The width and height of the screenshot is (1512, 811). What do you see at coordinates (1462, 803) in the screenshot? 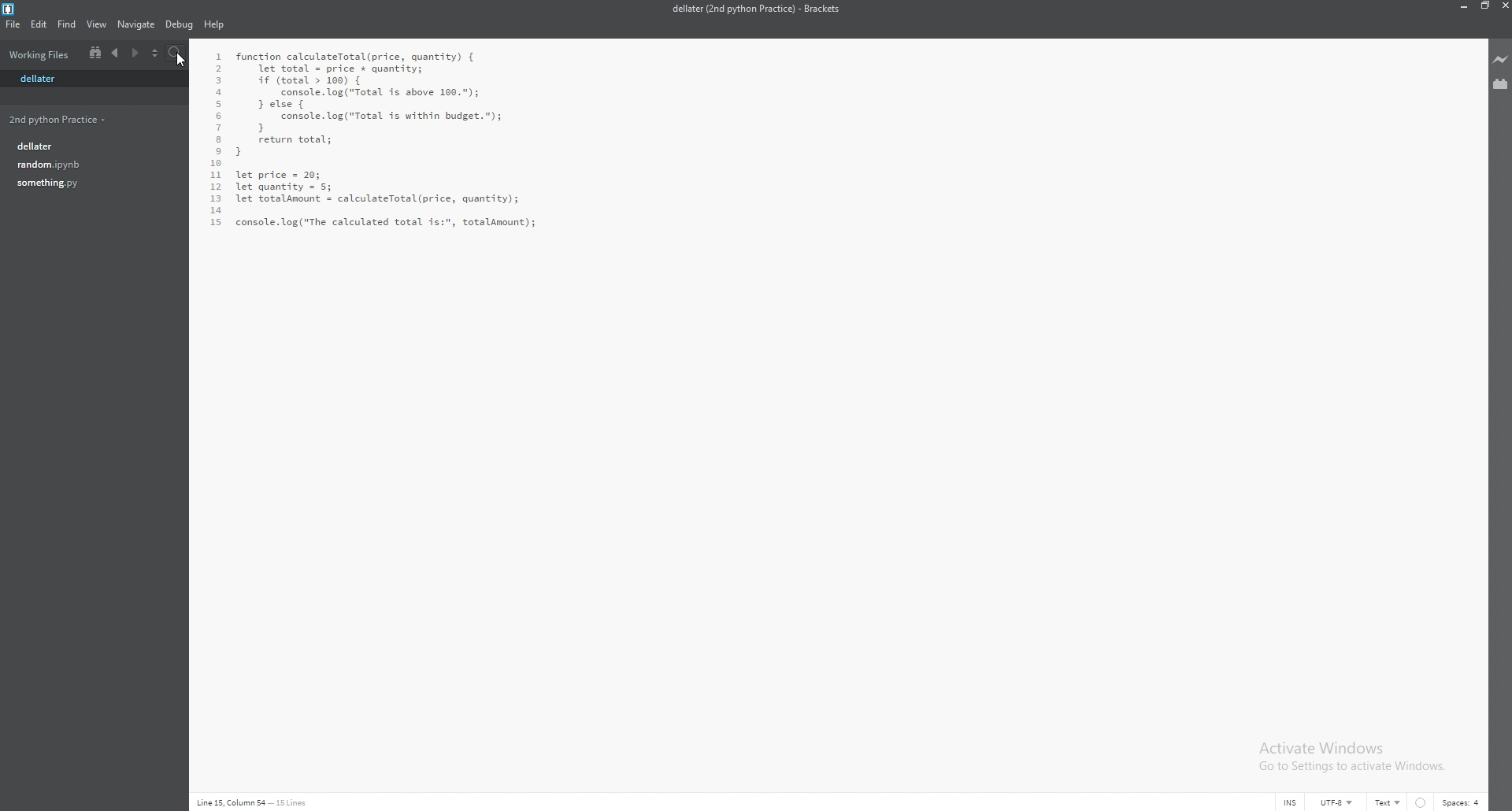
I see `spaces: 4` at bounding box center [1462, 803].